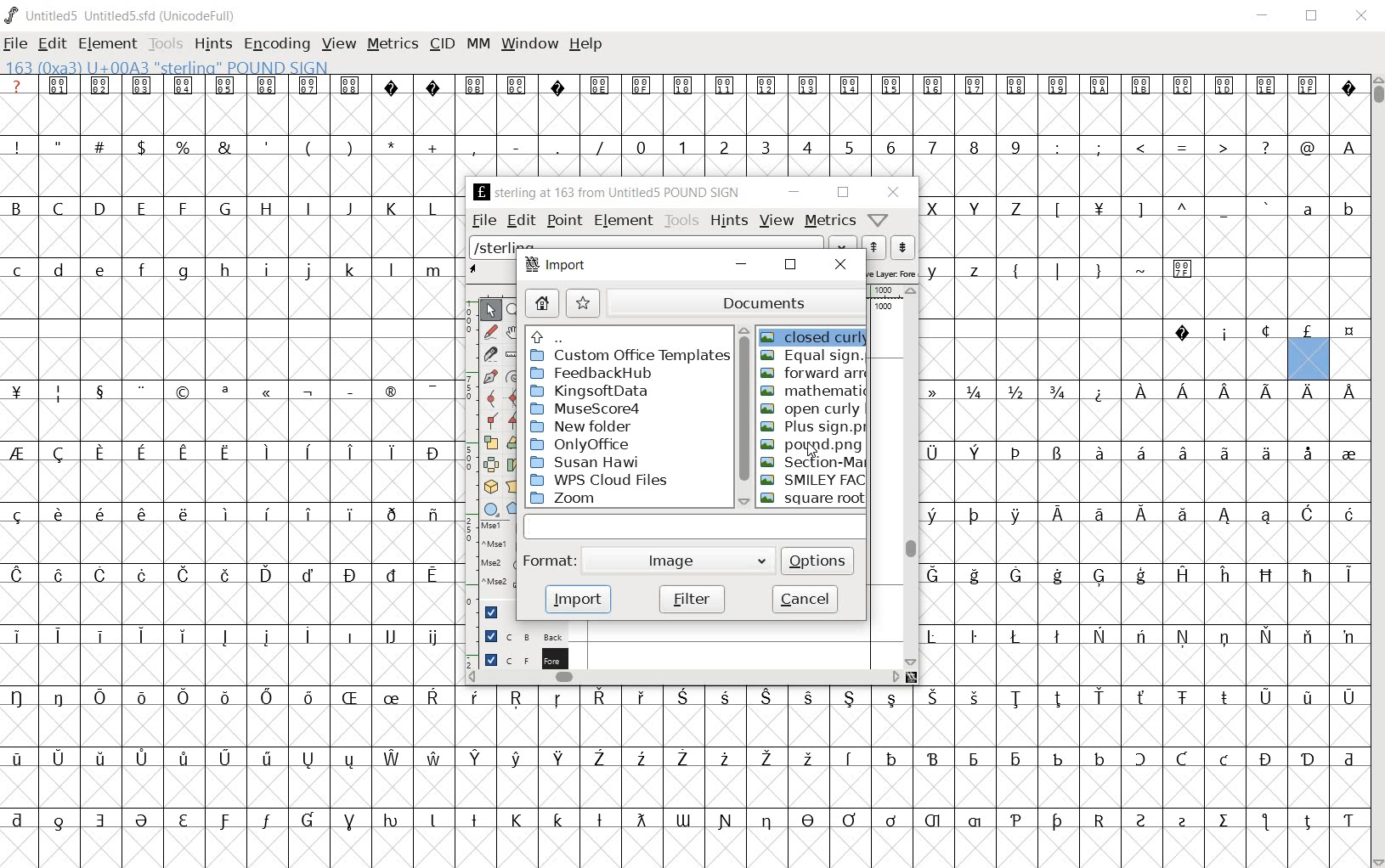 The height and width of the screenshot is (868, 1385). Describe the element at coordinates (1143, 391) in the screenshot. I see `Symbol` at that location.